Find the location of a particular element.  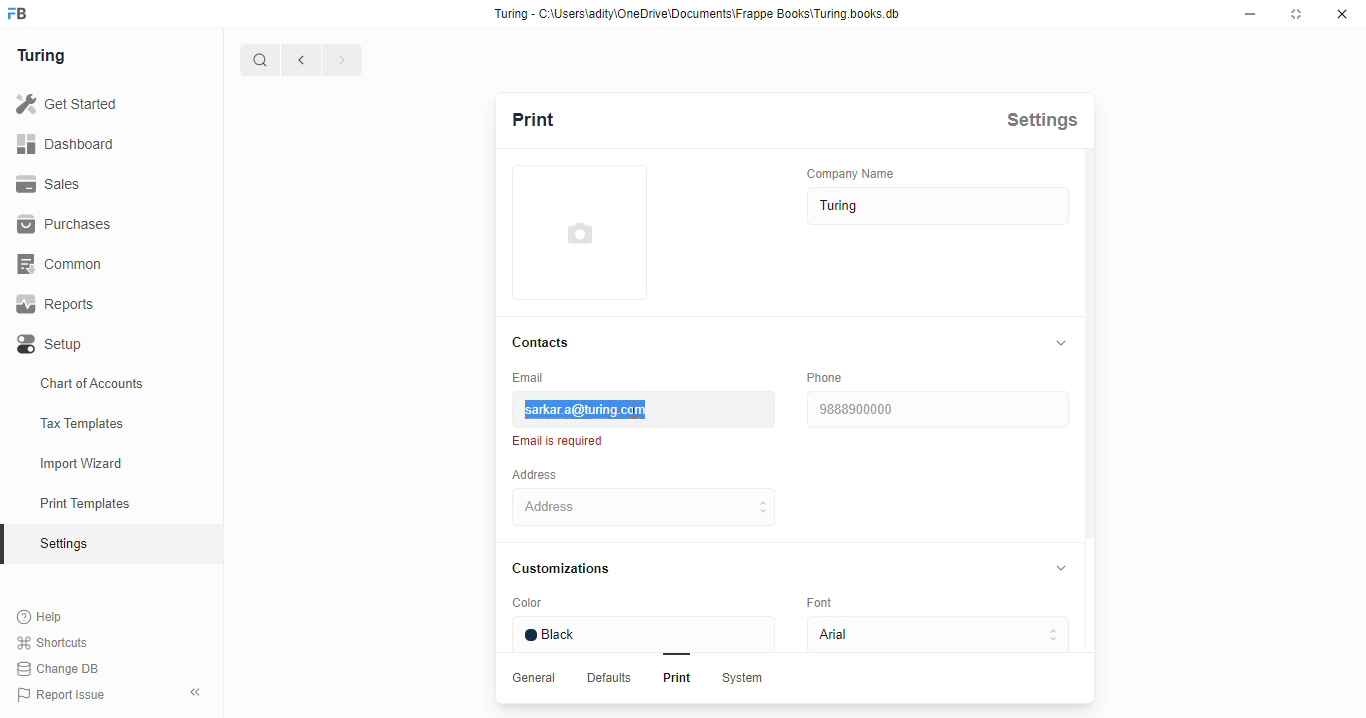

Shortcuts is located at coordinates (57, 642).